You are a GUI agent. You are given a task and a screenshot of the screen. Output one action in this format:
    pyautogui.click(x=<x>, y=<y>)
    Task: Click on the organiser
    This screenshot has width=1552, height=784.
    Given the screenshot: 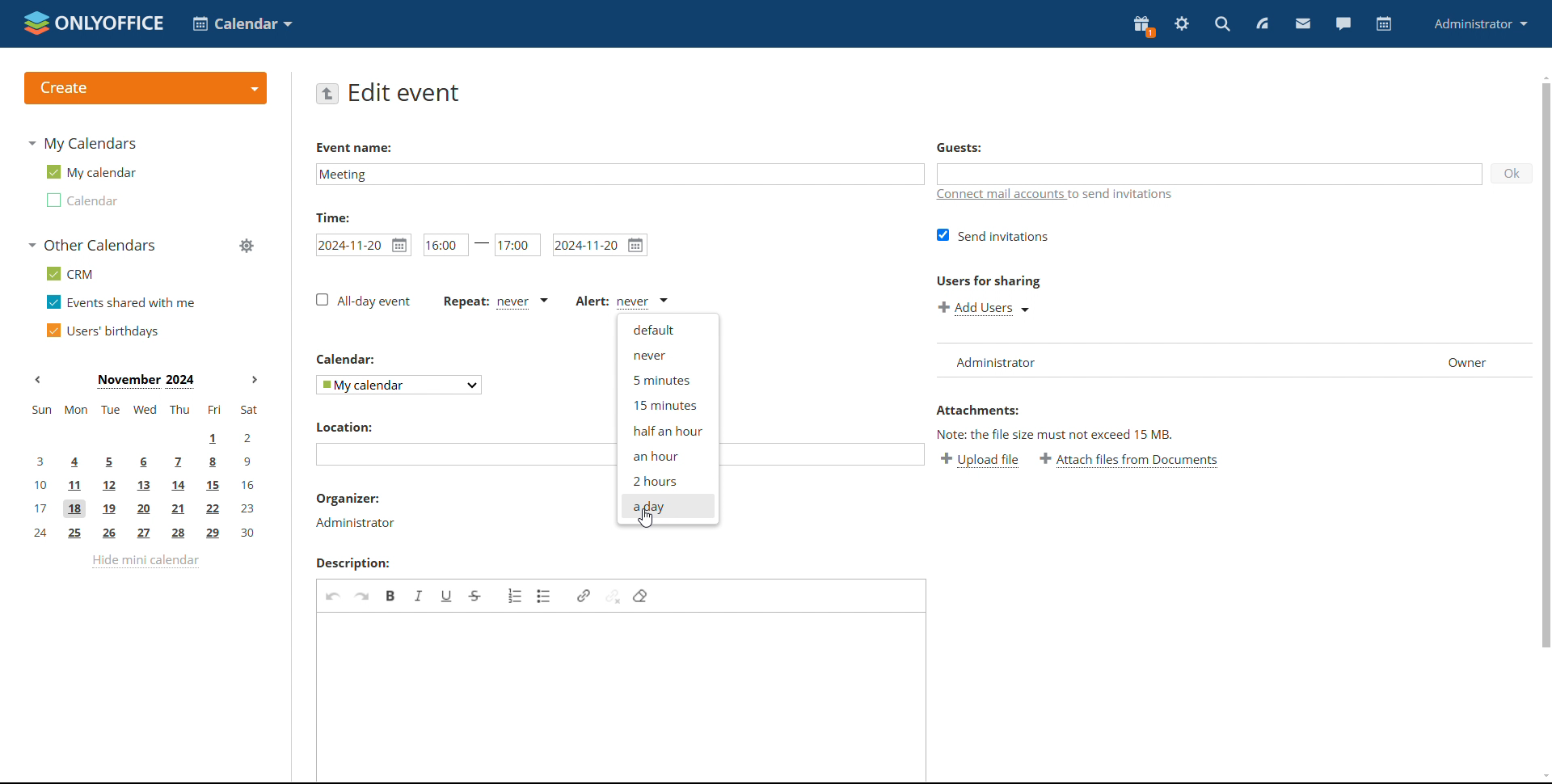 What is the action you would take?
    pyautogui.click(x=348, y=498)
    